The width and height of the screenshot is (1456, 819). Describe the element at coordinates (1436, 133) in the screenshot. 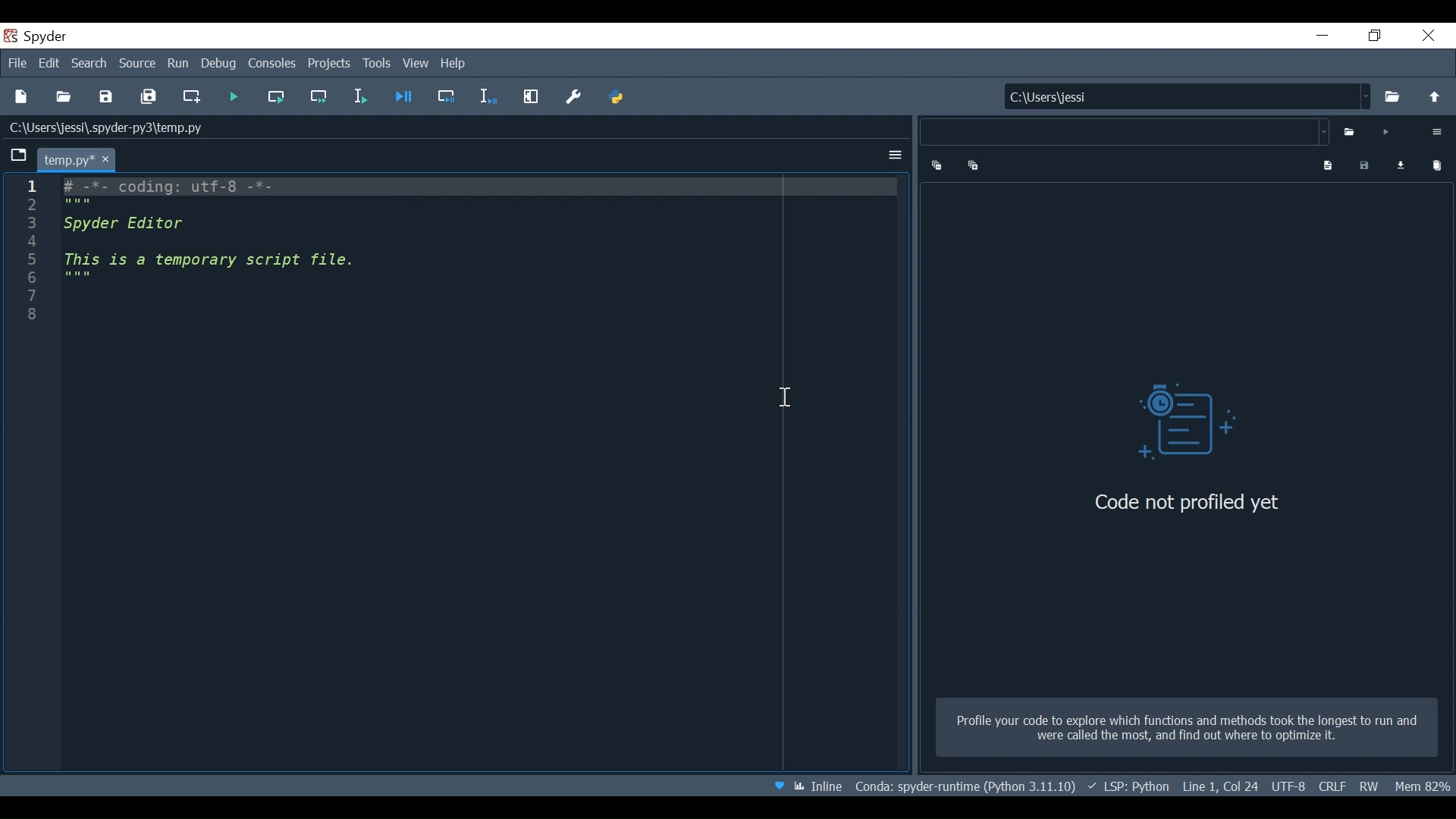

I see `Options` at that location.